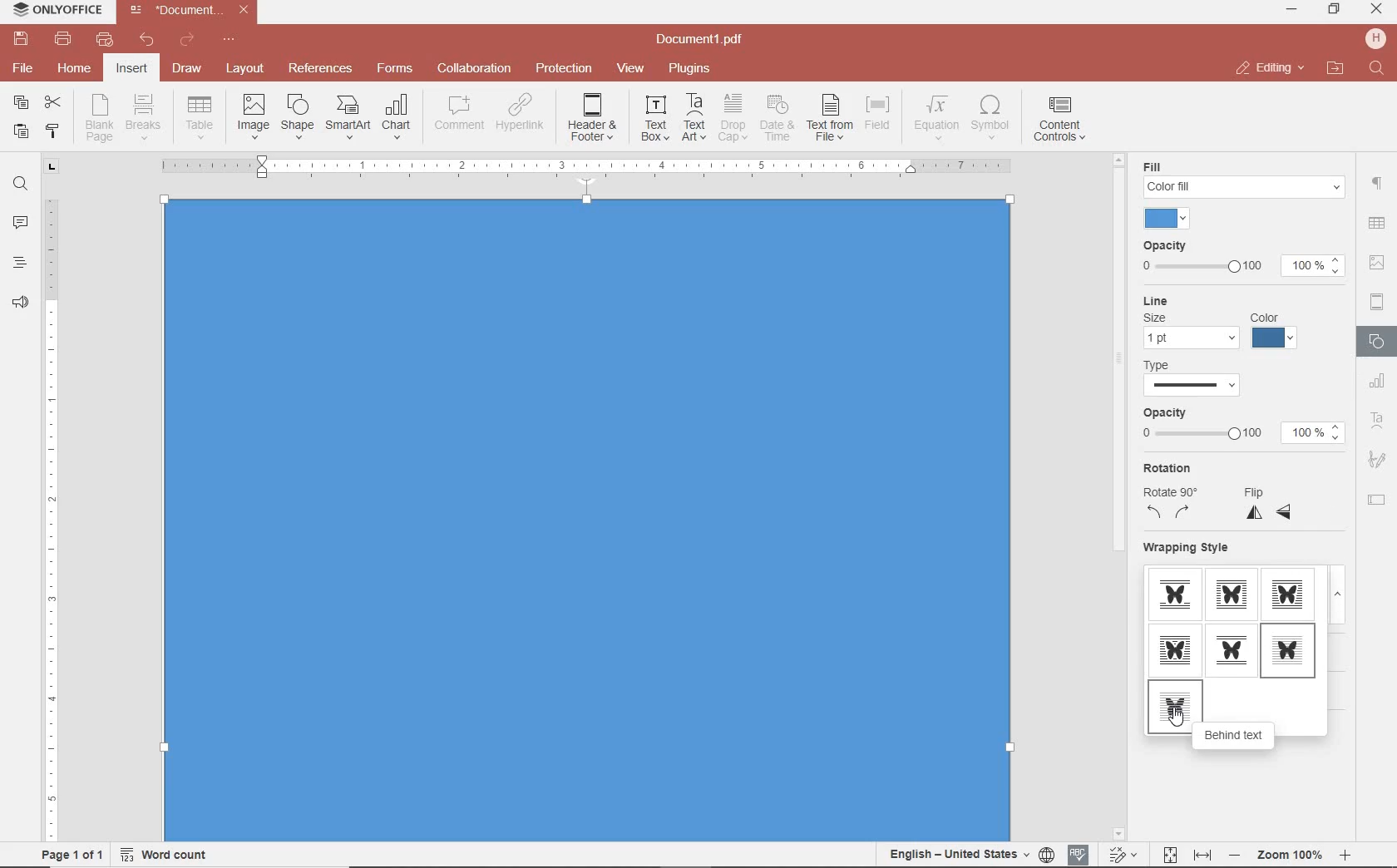 The height and width of the screenshot is (868, 1397). I want to click on TYPE, so click(1208, 377).